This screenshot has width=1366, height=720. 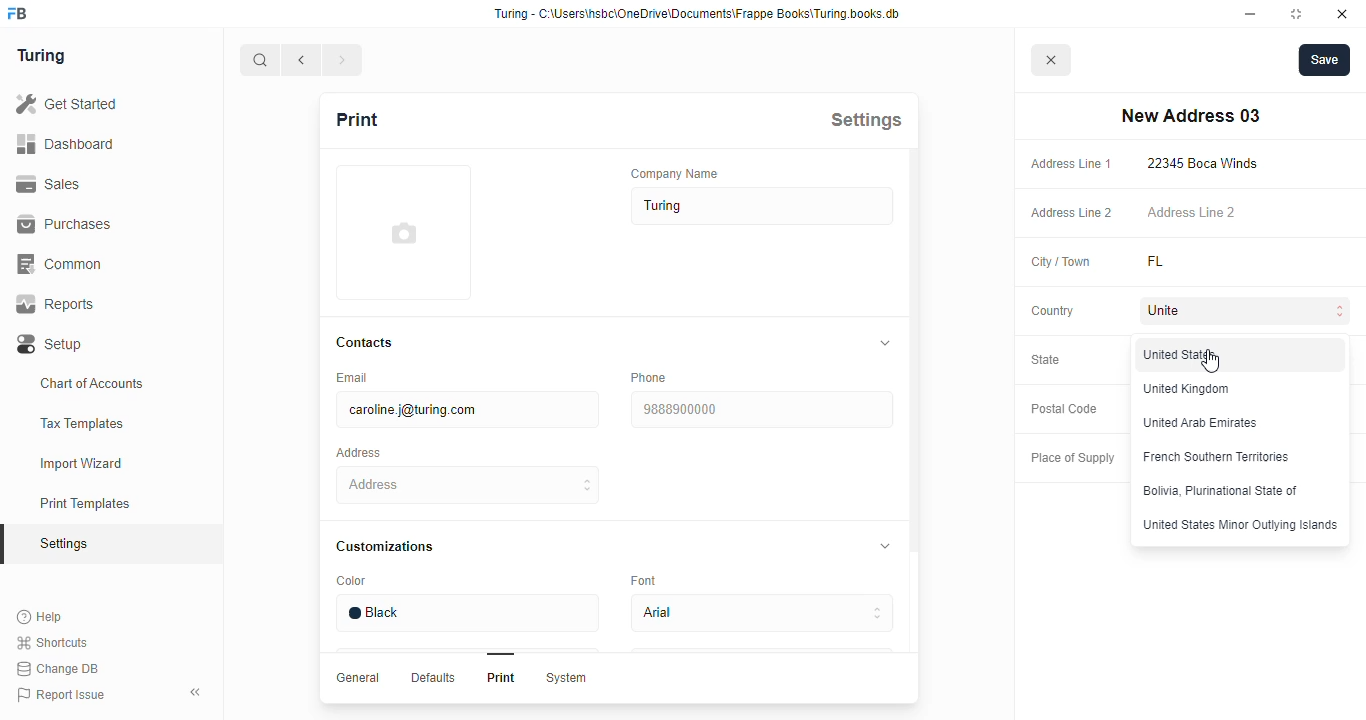 I want to click on address line 1, so click(x=1071, y=164).